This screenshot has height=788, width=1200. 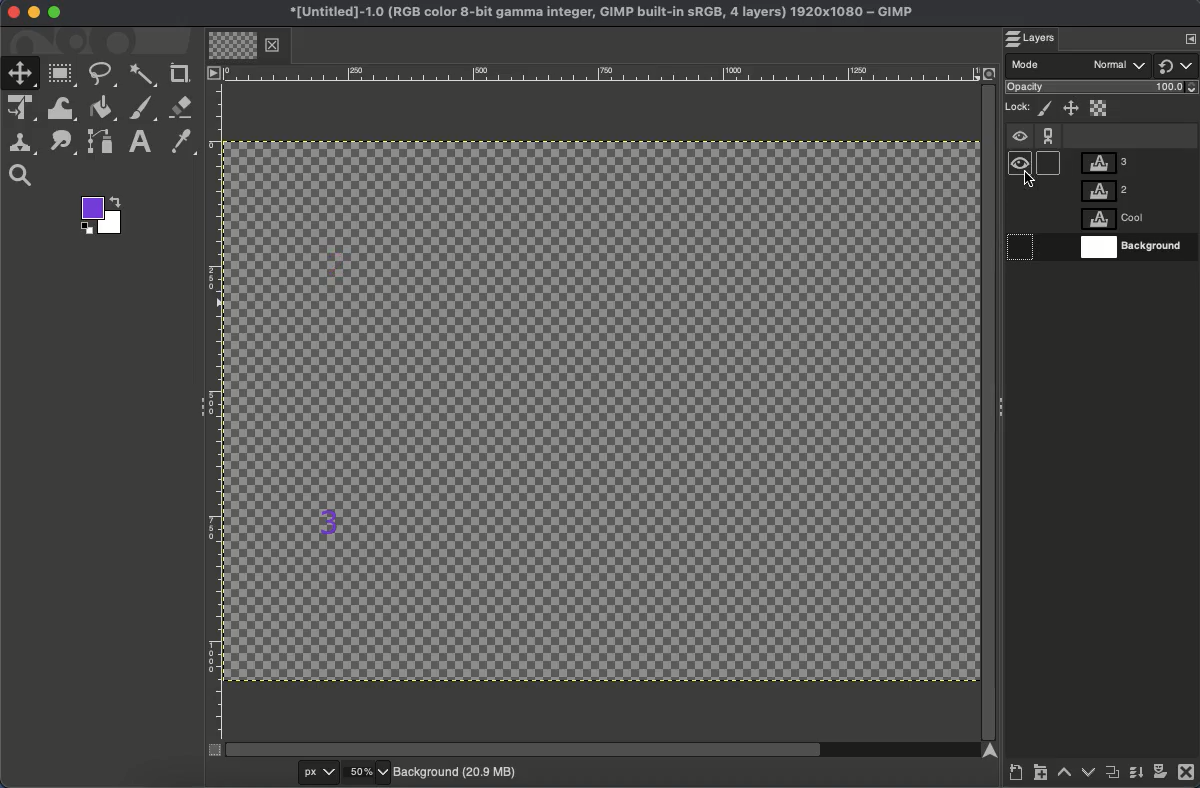 I want to click on Add a mask, so click(x=1160, y=775).